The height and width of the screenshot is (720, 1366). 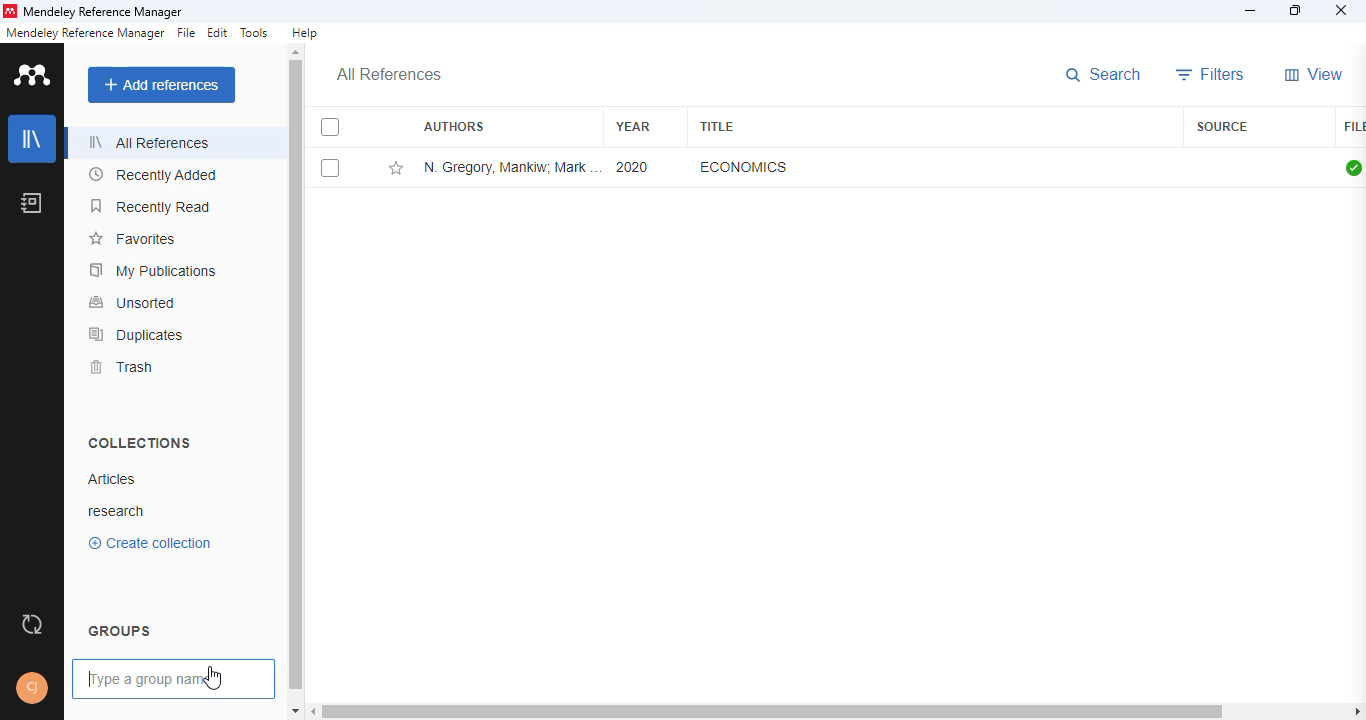 I want to click on horizontal scroll bar, so click(x=837, y=711).